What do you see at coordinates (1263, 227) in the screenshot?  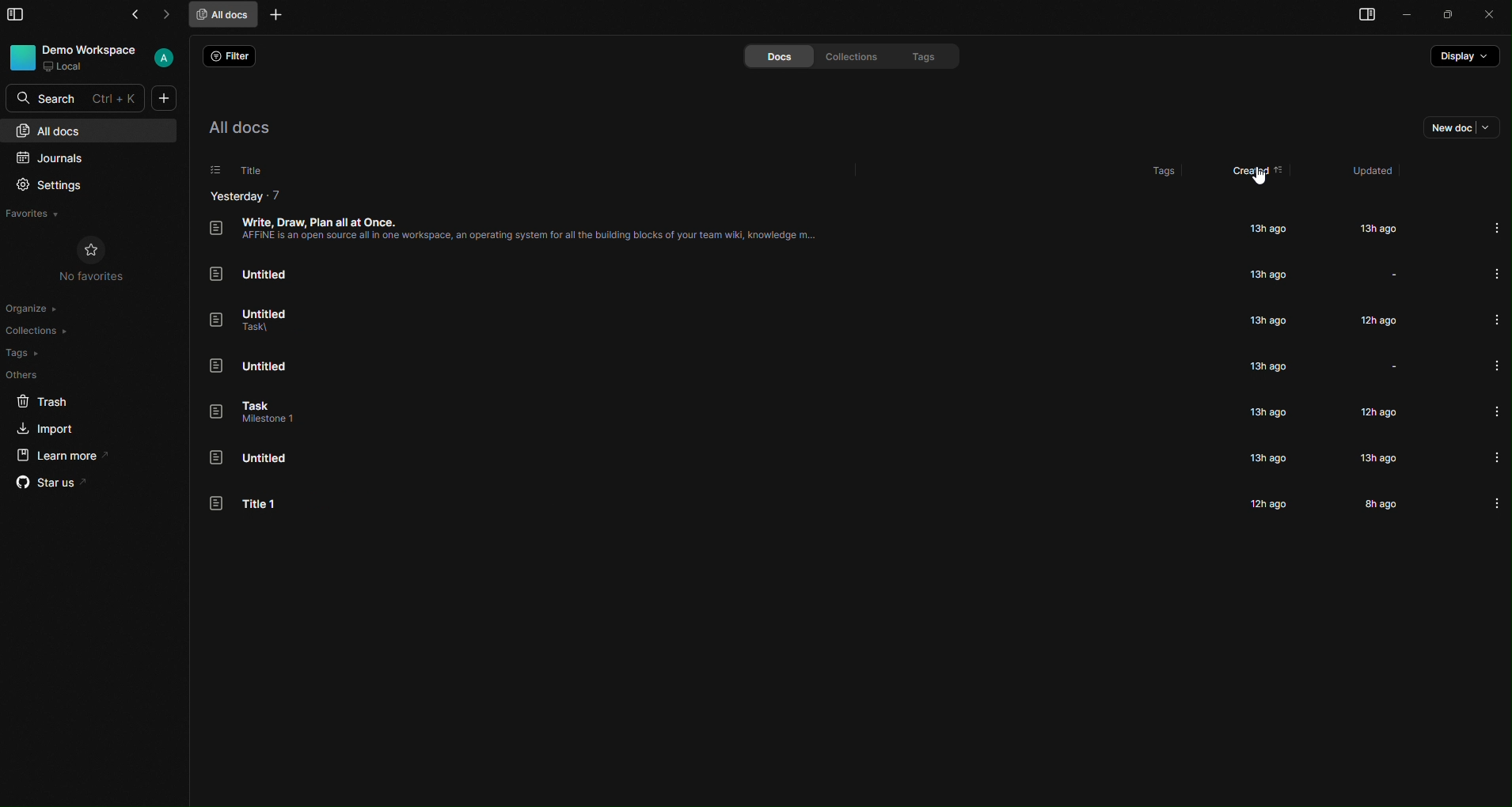 I see `13h ago` at bounding box center [1263, 227].